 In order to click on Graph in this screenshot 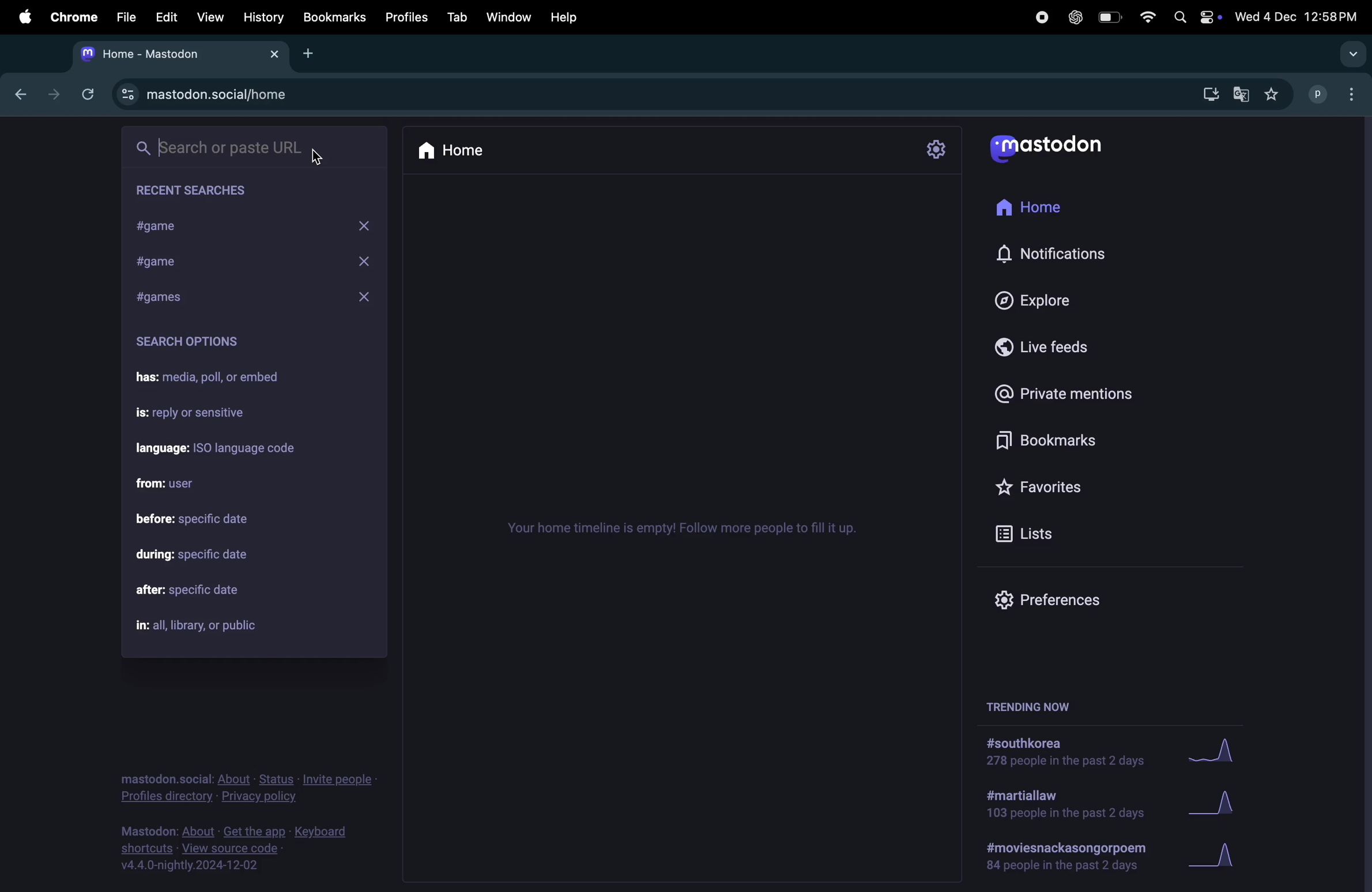, I will do `click(1215, 803)`.